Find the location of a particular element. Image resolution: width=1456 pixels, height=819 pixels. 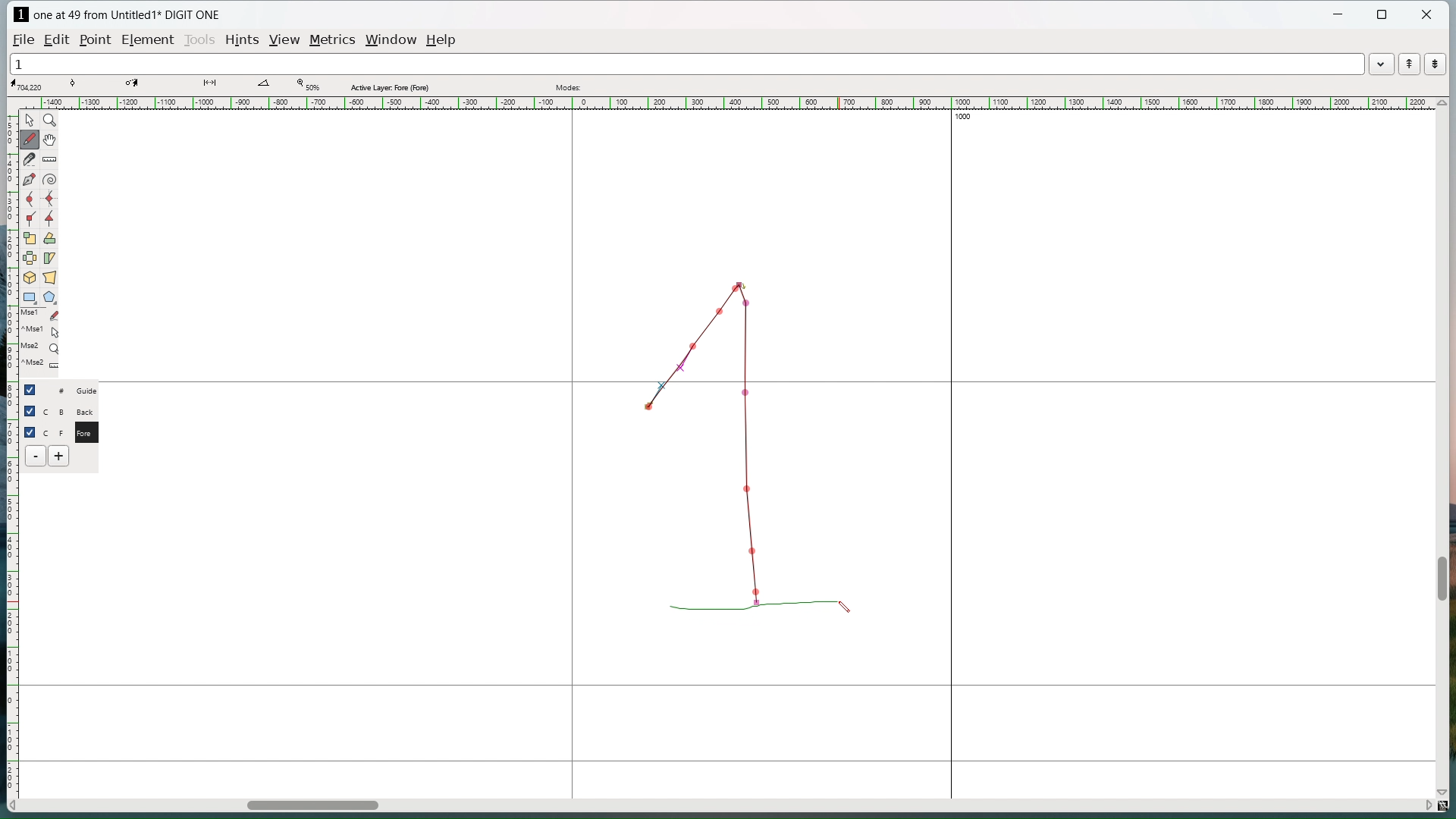

add a curve point always either vertical or horizontal is located at coordinates (49, 199).